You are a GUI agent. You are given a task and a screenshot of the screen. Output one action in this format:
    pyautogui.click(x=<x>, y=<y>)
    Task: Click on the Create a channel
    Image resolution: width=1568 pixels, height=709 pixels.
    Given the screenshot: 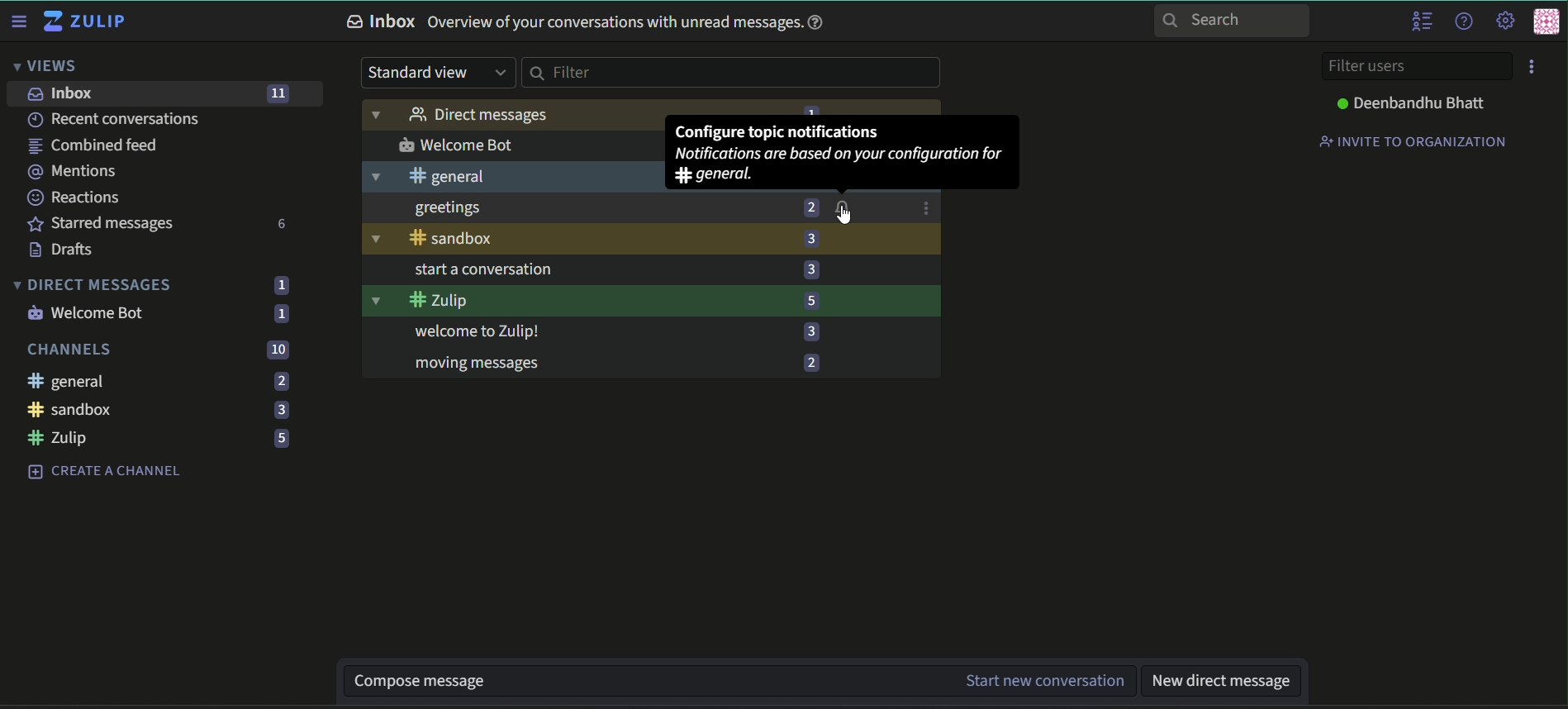 What is the action you would take?
    pyautogui.click(x=105, y=472)
    